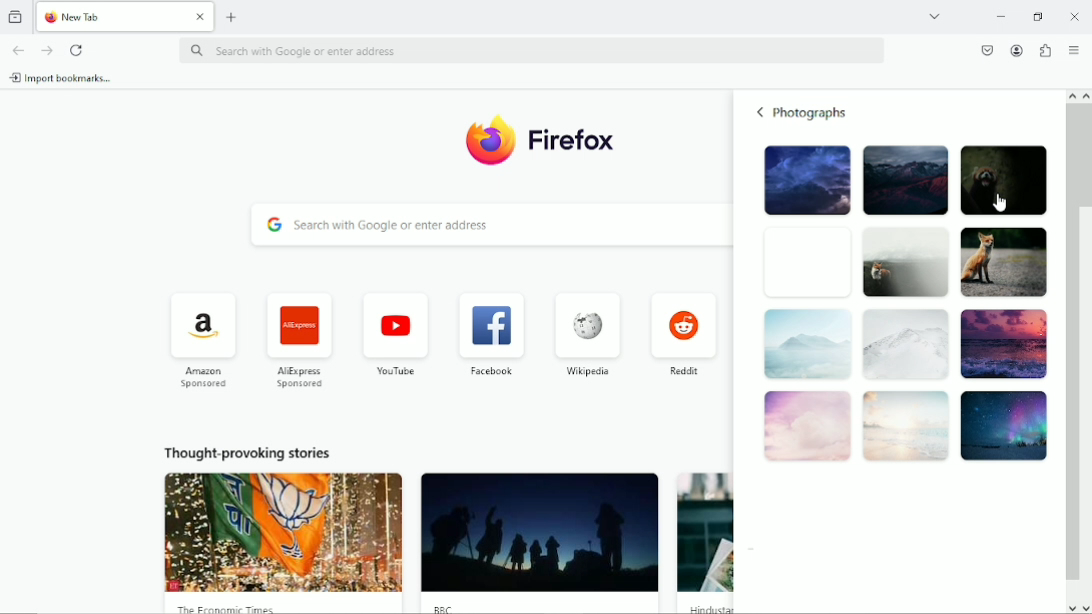  Describe the element at coordinates (1005, 425) in the screenshot. I see `Photograph` at that location.